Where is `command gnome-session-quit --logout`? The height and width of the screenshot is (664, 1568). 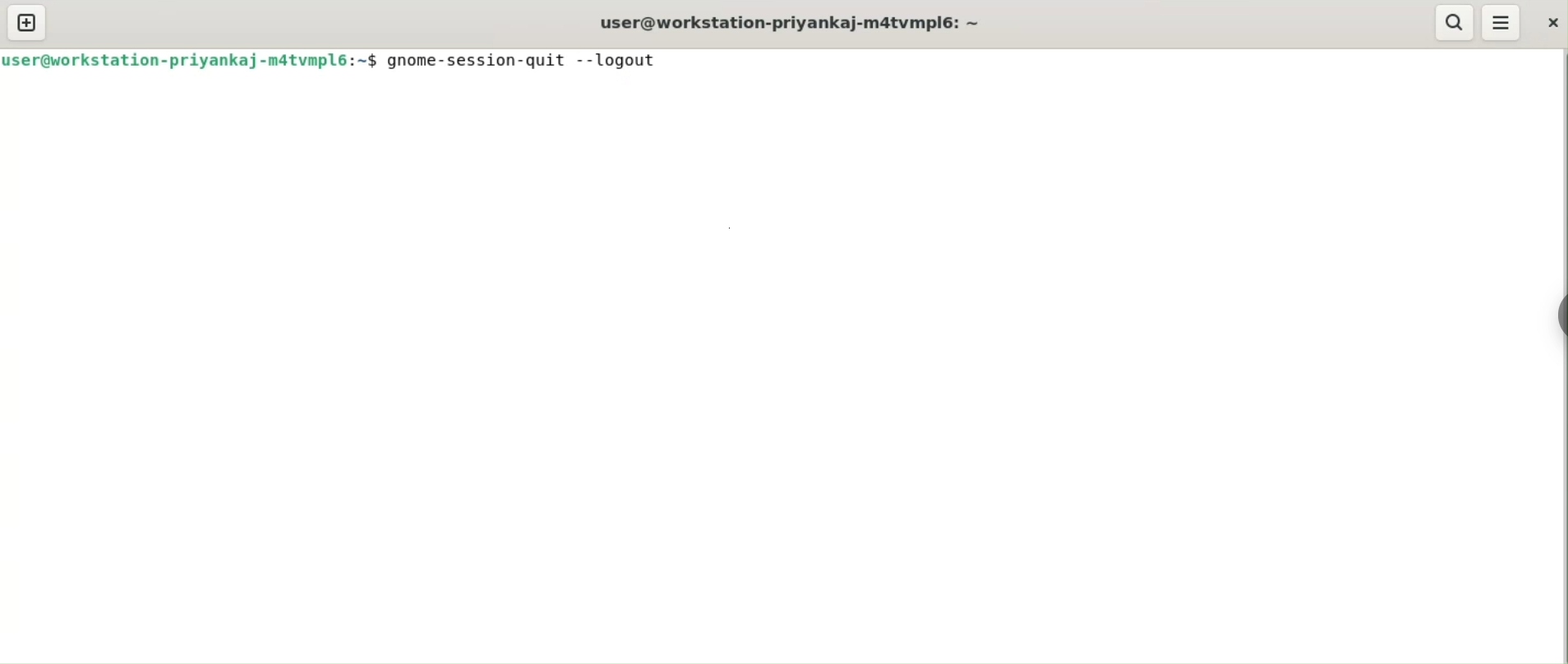 command gnome-session-quit --logout is located at coordinates (528, 61).